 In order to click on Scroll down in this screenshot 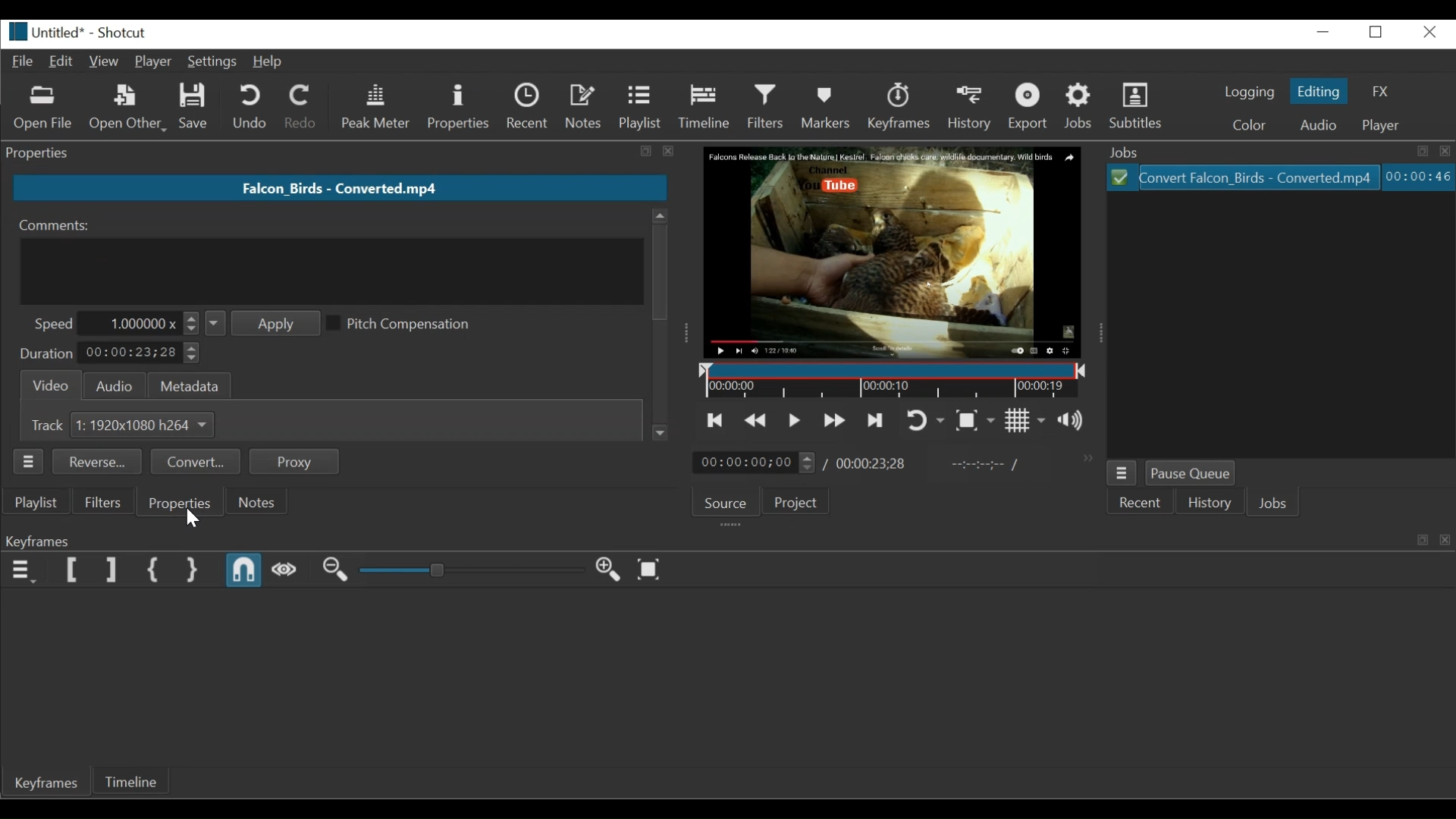, I will do `click(661, 432)`.